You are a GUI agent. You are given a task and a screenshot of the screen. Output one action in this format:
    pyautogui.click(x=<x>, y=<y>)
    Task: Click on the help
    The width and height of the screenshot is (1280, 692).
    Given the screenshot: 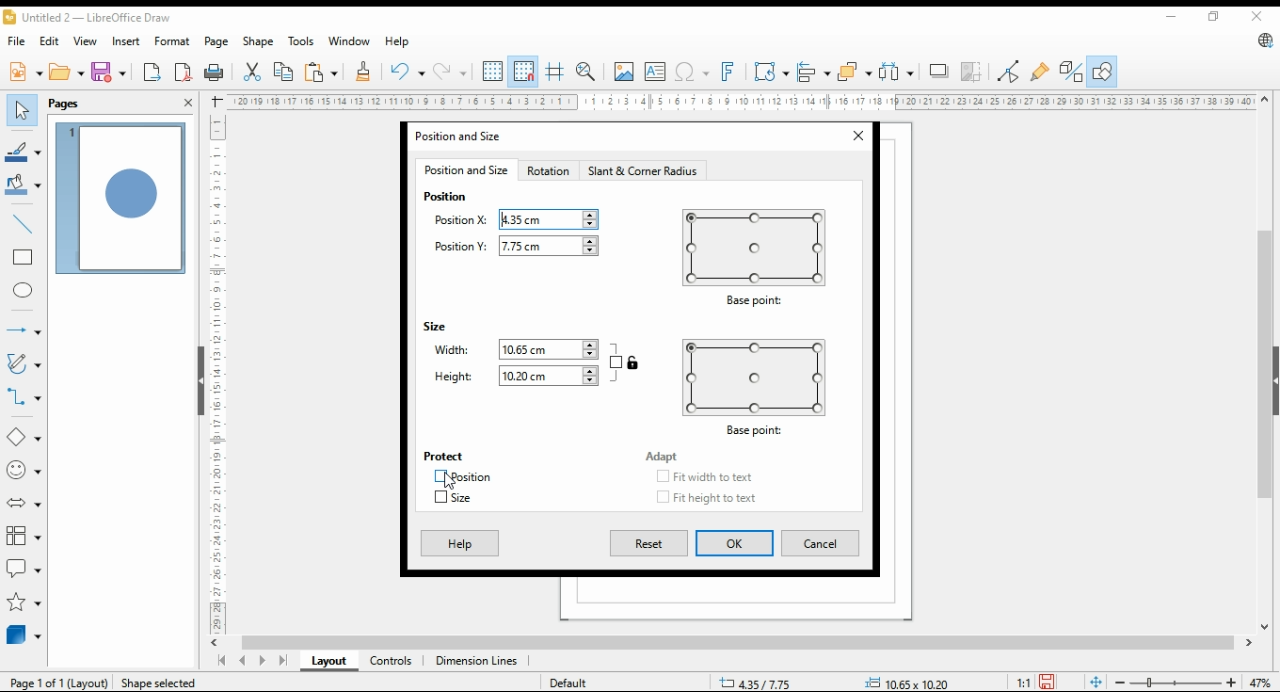 What is the action you would take?
    pyautogui.click(x=400, y=42)
    